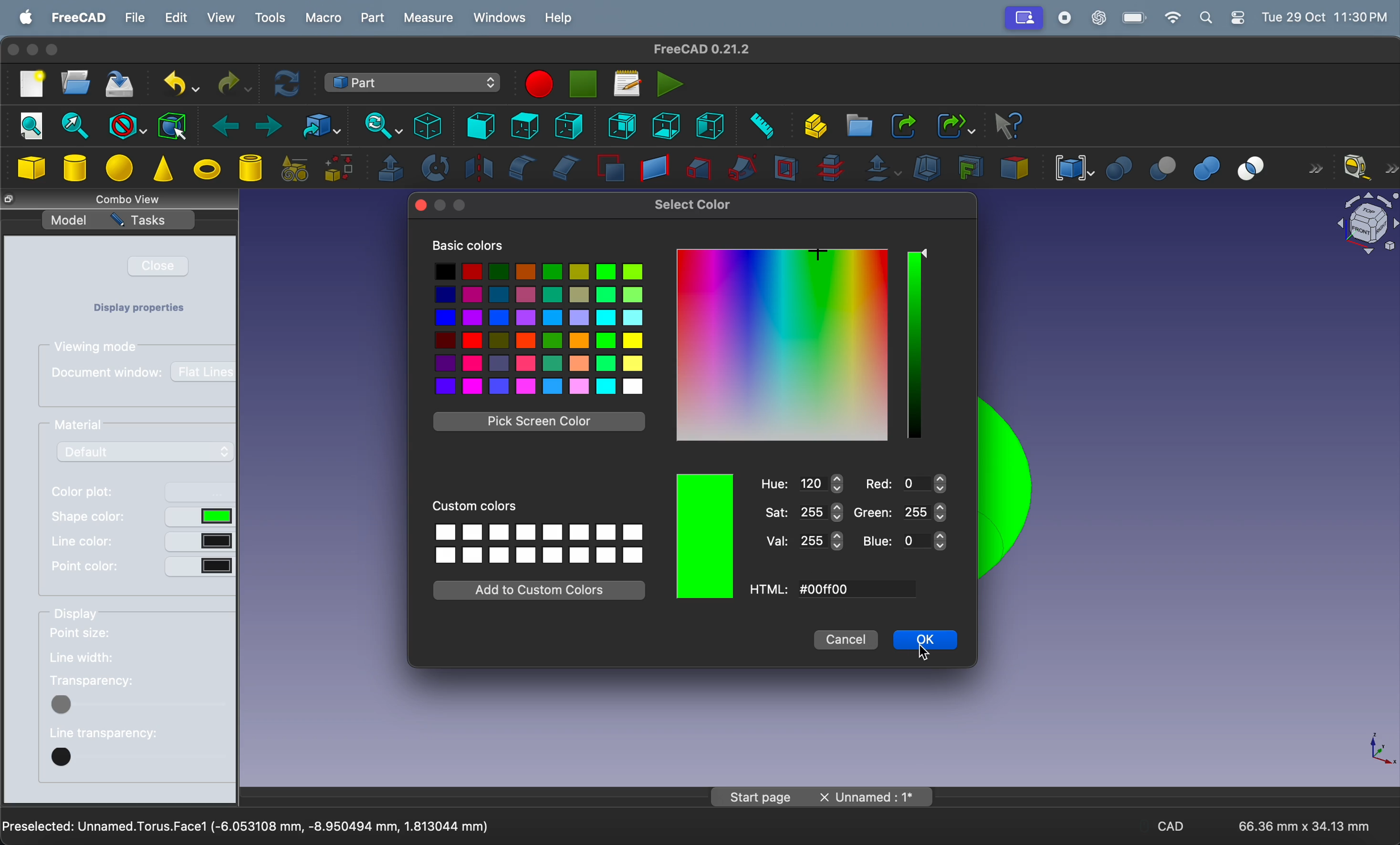 This screenshot has height=845, width=1400. What do you see at coordinates (295, 169) in the screenshot?
I see `create primitives` at bounding box center [295, 169].